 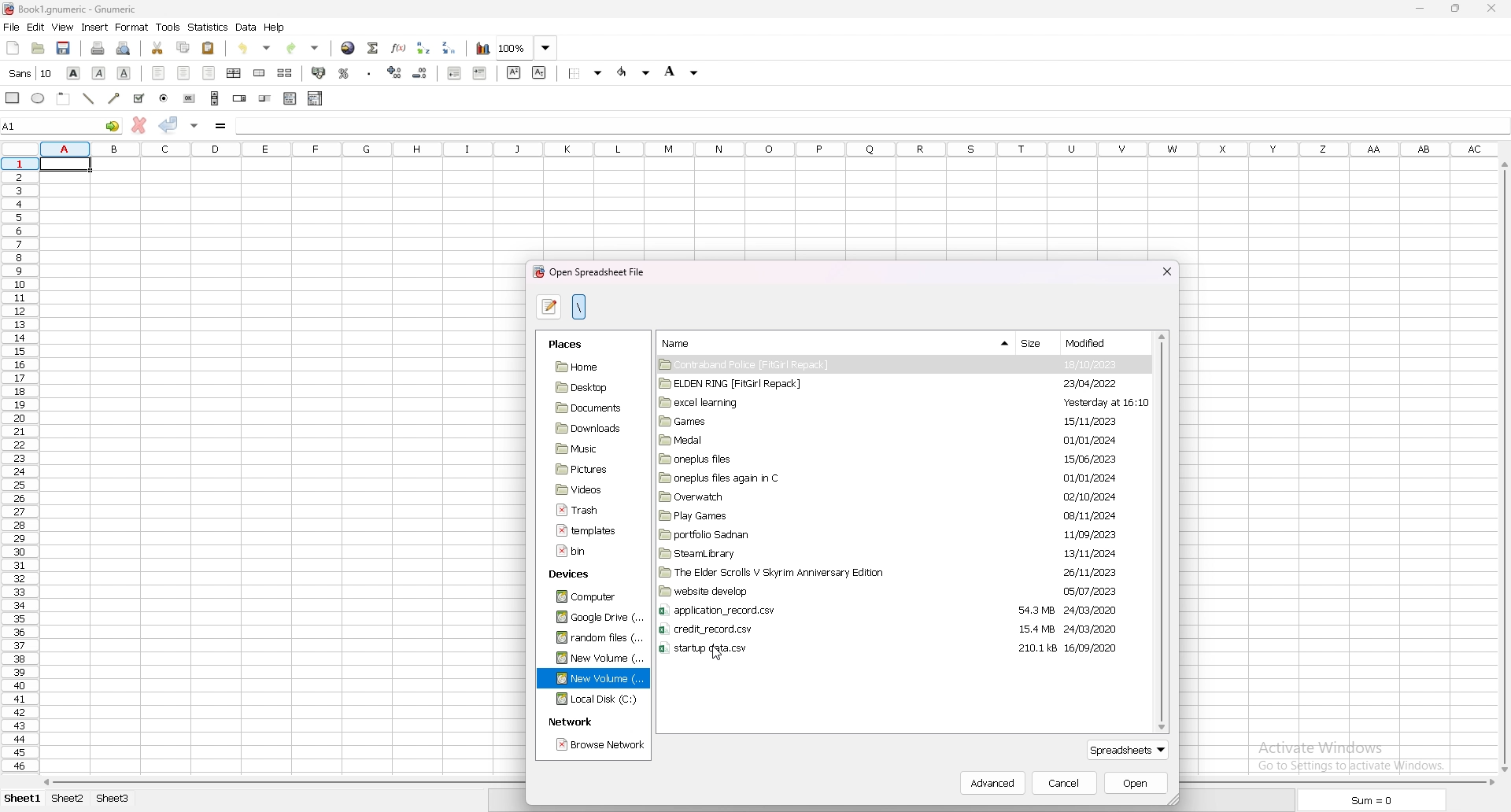 I want to click on show, so click(x=989, y=341).